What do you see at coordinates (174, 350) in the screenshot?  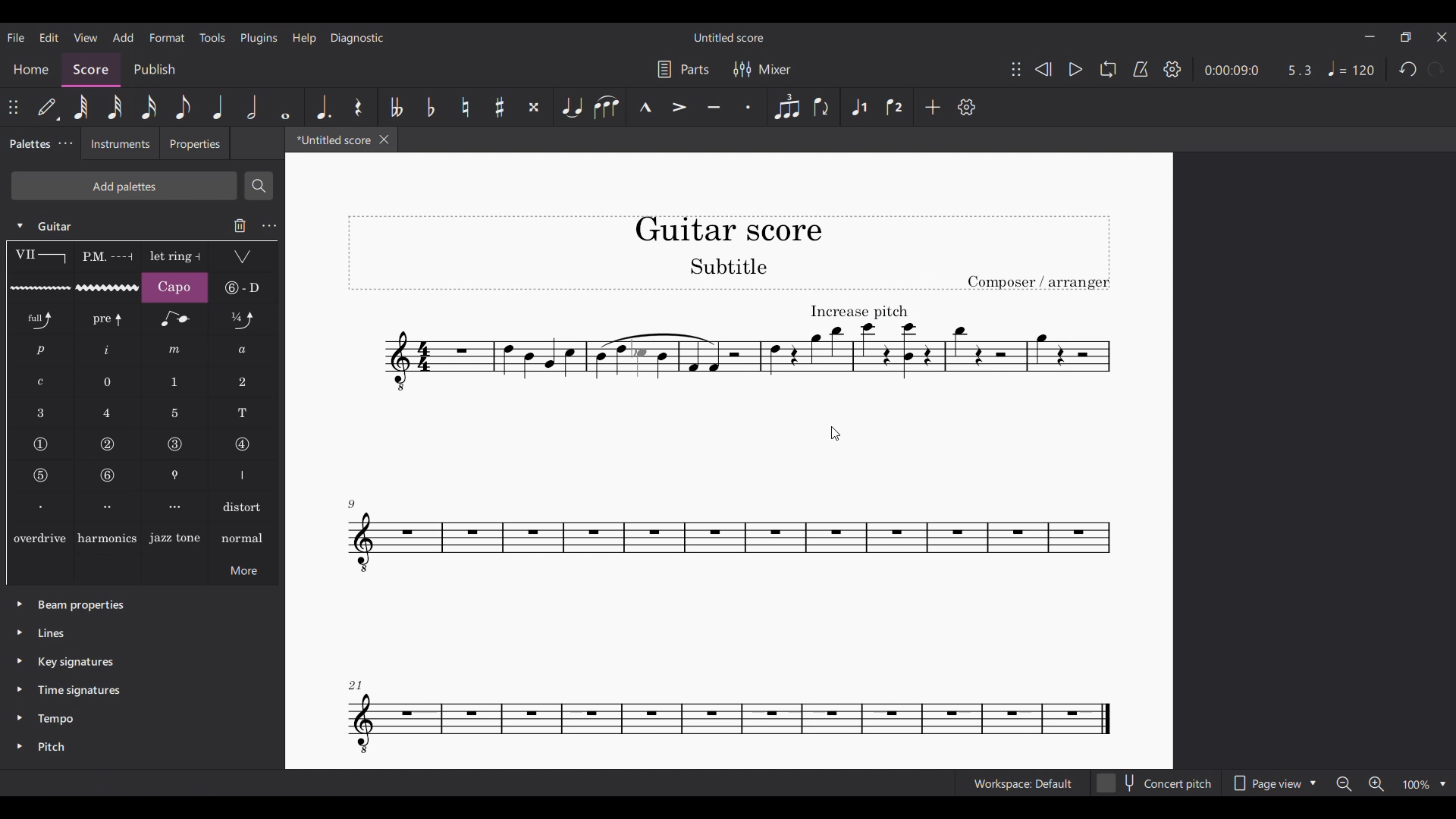 I see `RH guitar fingering m` at bounding box center [174, 350].